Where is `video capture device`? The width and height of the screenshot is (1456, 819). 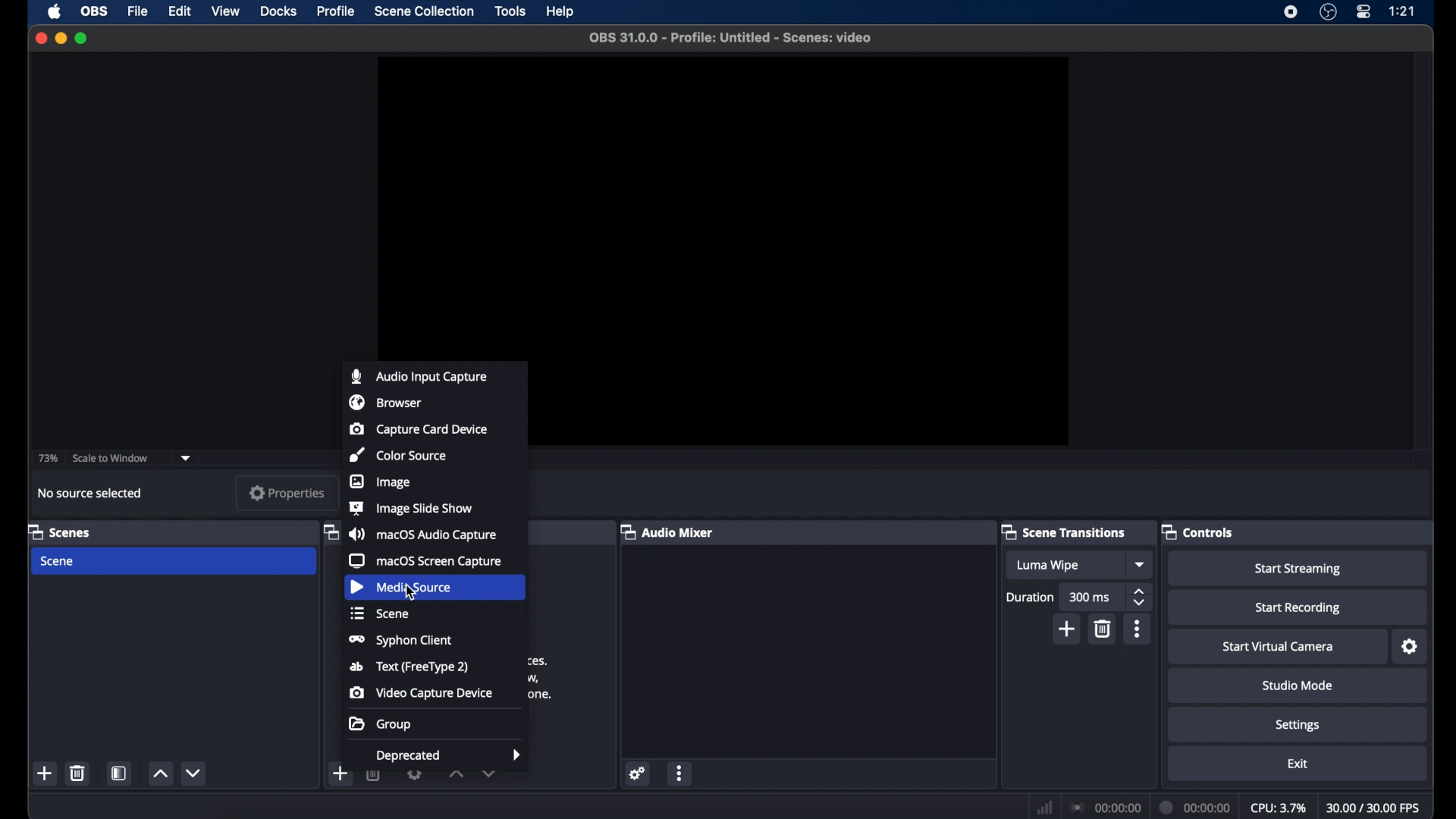
video capture device is located at coordinates (424, 694).